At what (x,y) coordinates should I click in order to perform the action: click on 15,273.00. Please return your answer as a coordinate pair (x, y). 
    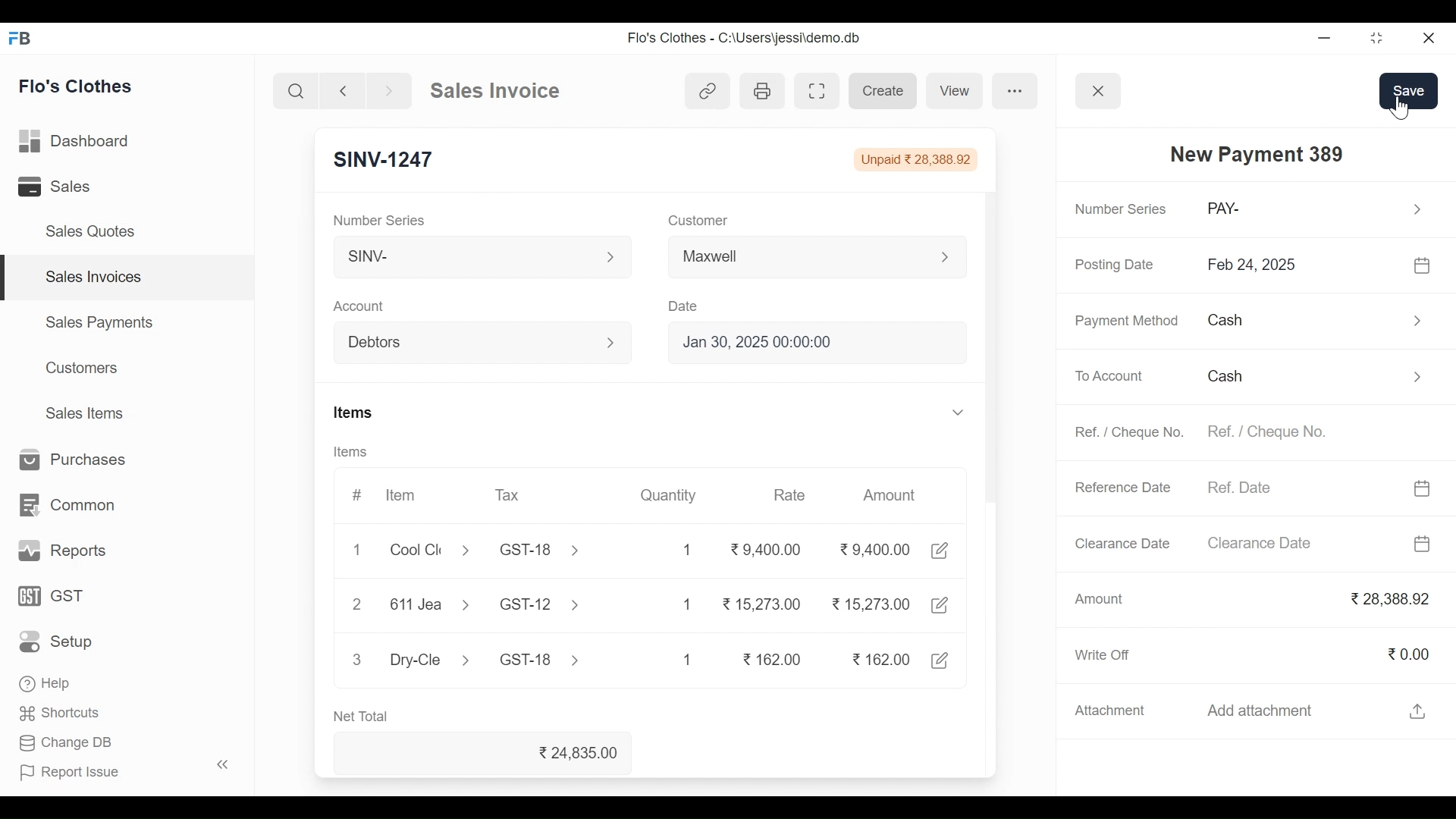
    Looking at the image, I should click on (755, 603).